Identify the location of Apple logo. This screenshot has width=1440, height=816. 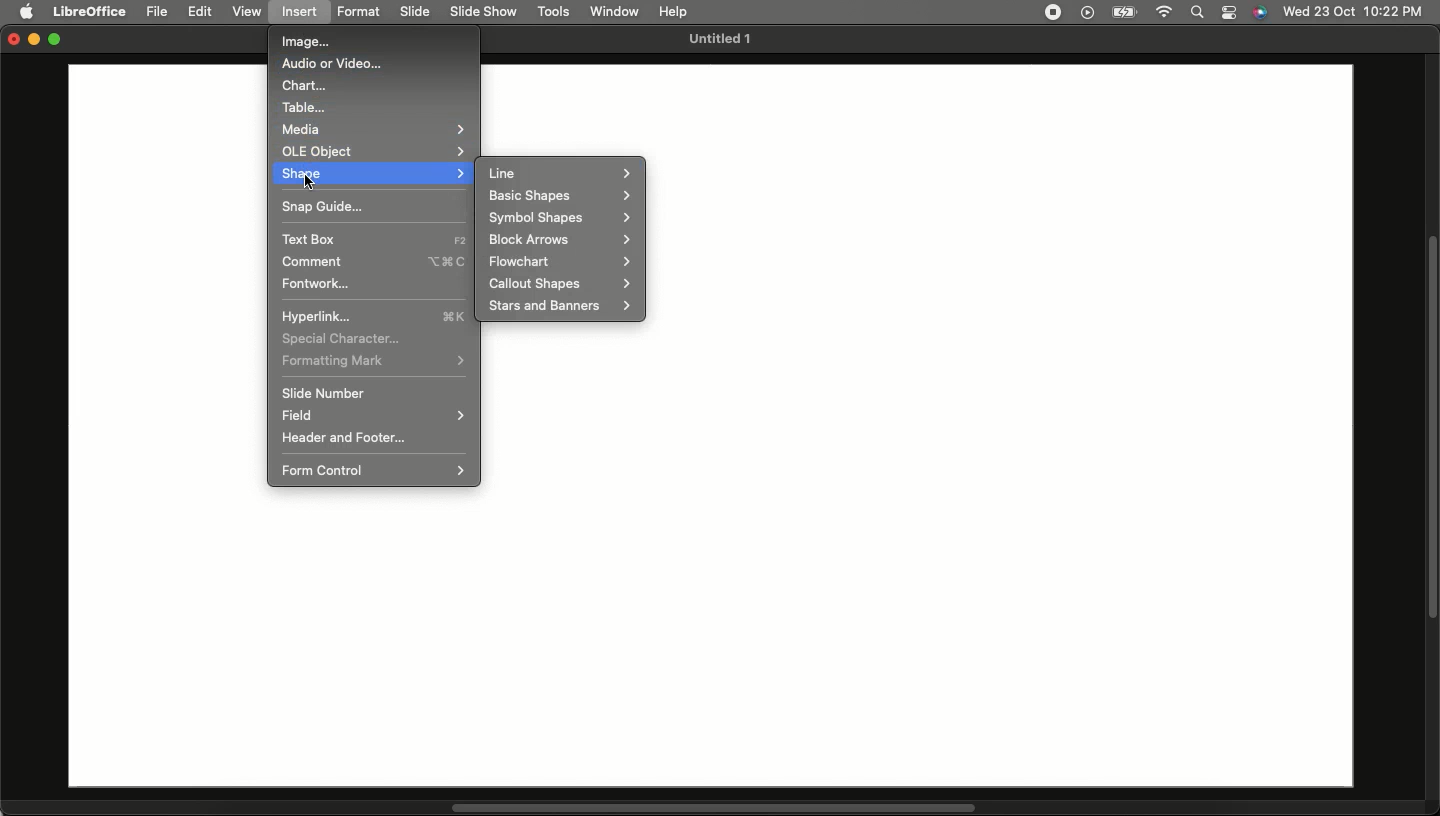
(29, 13).